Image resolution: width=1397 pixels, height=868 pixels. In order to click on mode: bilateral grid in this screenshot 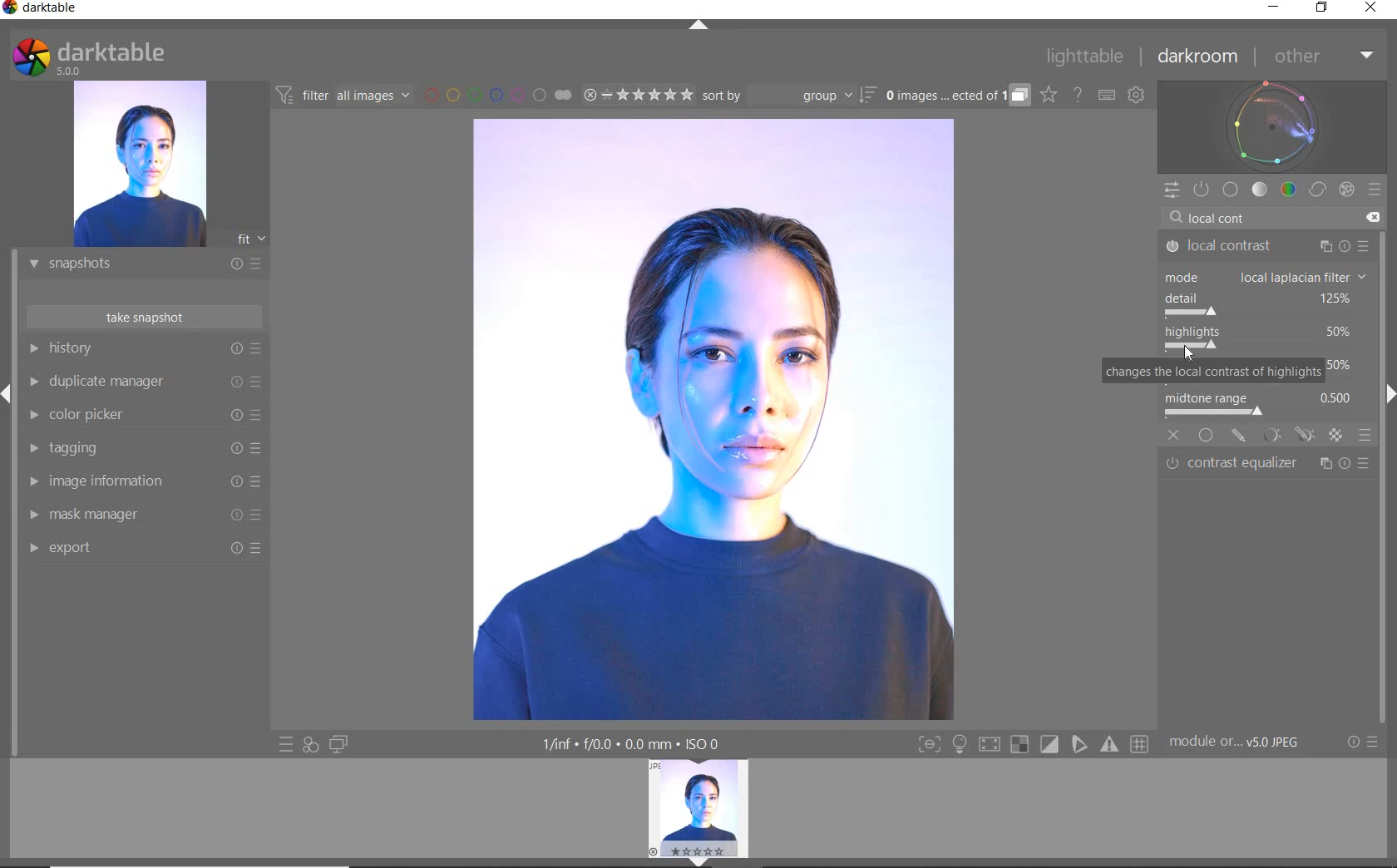, I will do `click(1258, 277)`.